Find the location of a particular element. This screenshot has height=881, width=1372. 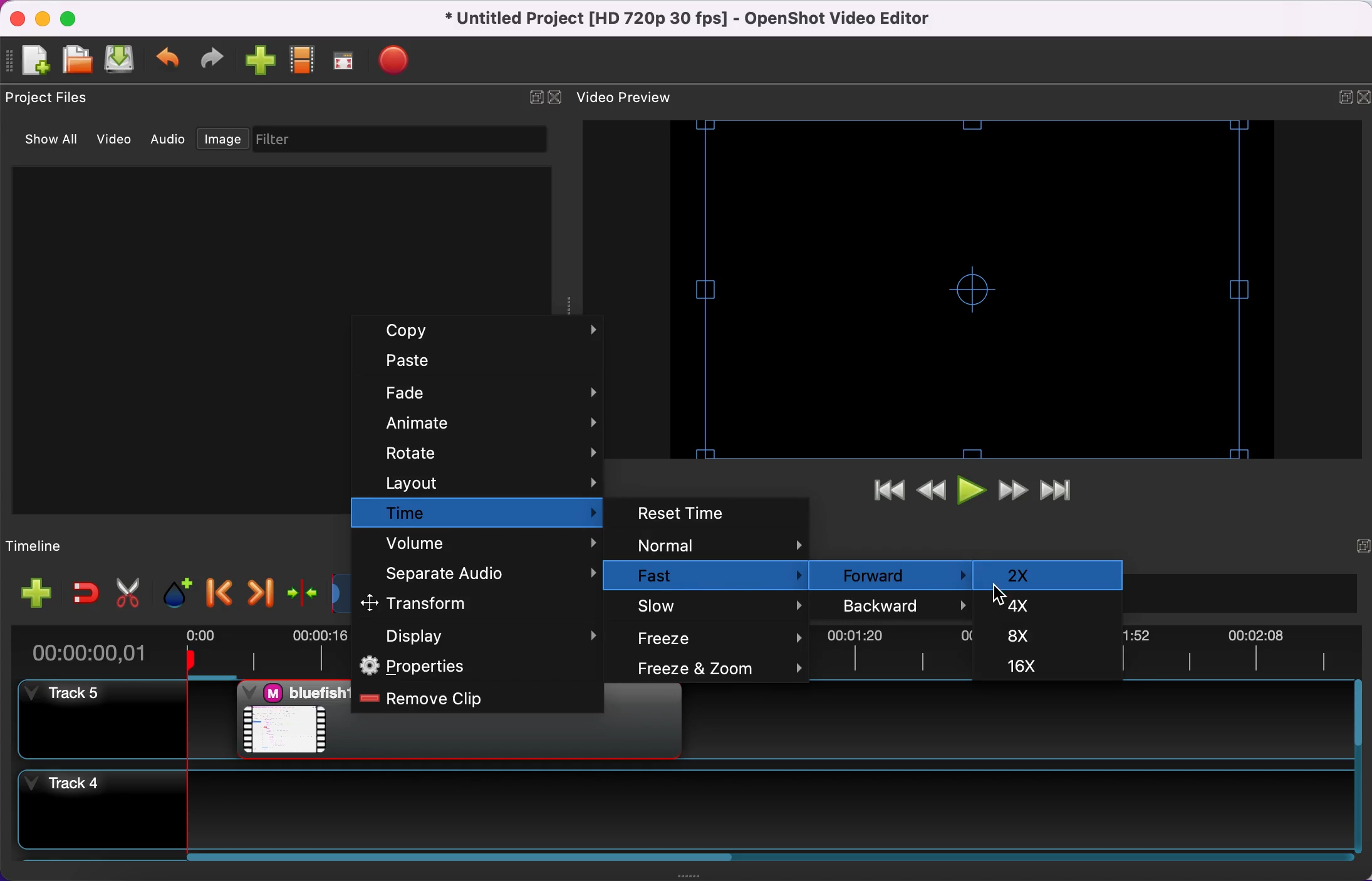

16x is located at coordinates (1042, 667).